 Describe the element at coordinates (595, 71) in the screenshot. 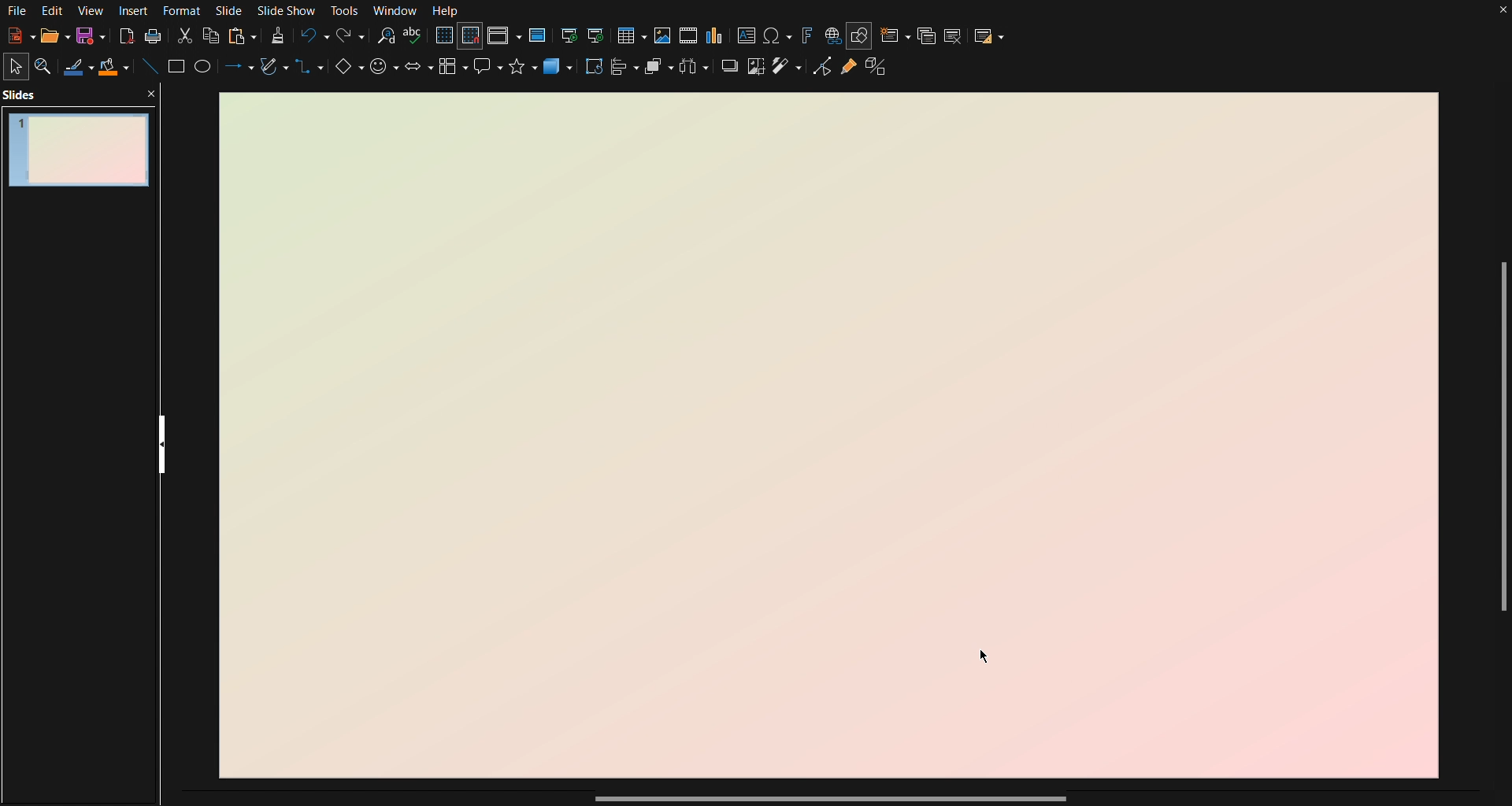

I see `Transformation` at that location.